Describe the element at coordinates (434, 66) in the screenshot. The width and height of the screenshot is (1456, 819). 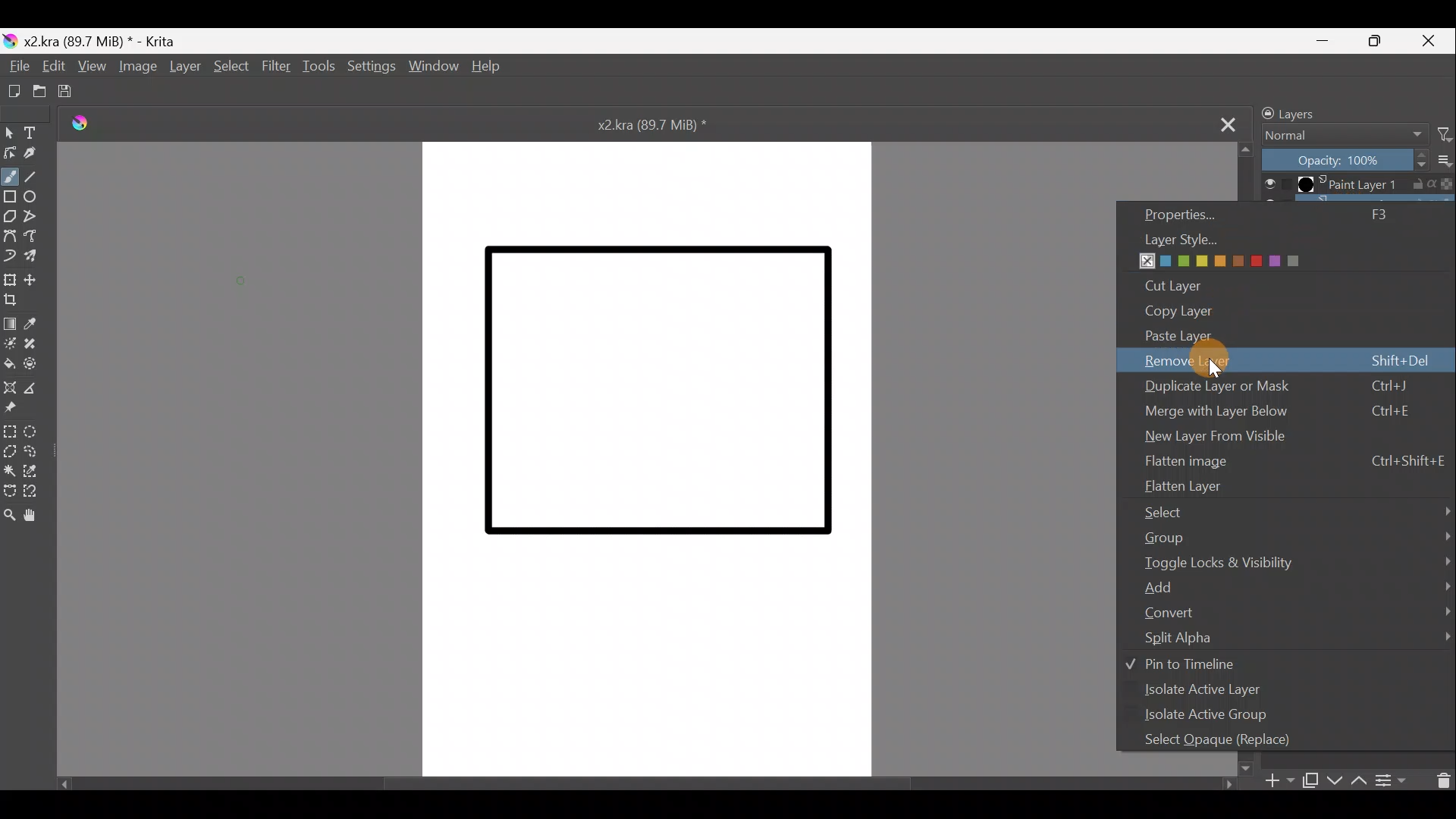
I see `Window` at that location.